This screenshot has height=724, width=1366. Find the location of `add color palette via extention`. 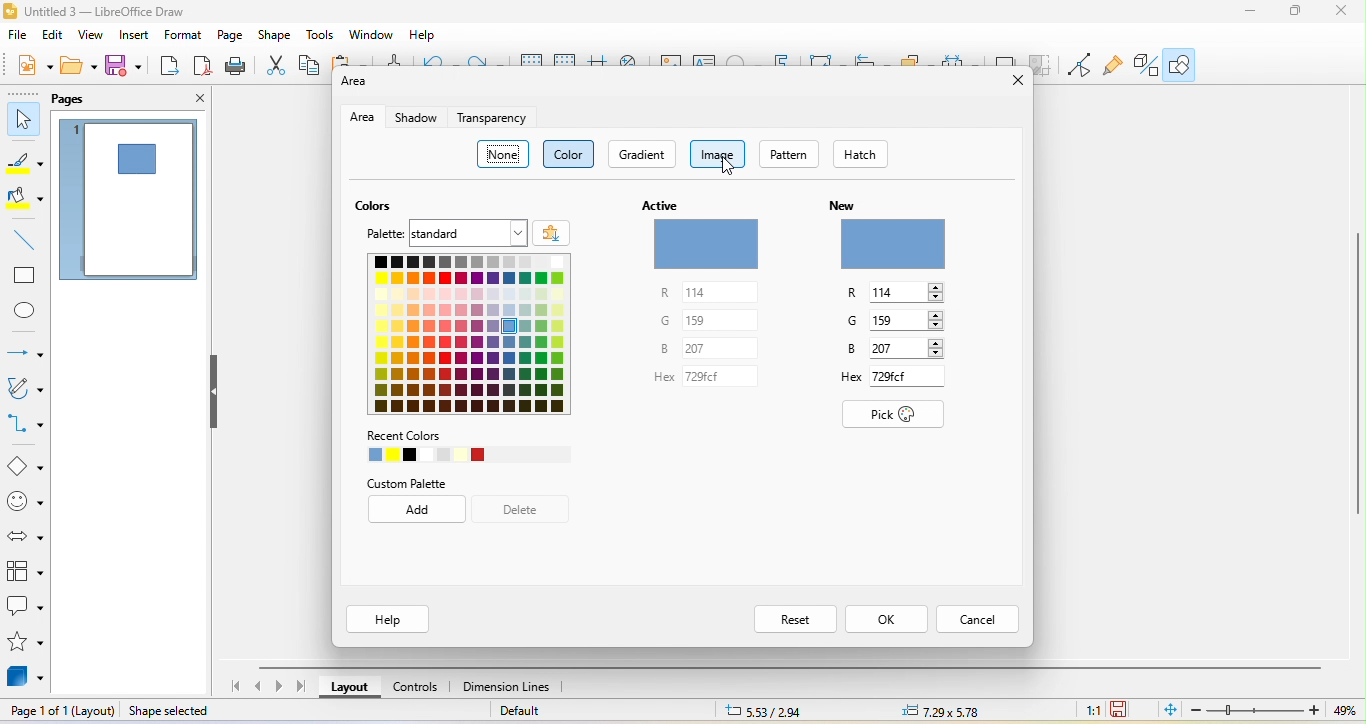

add color palette via extention is located at coordinates (552, 231).